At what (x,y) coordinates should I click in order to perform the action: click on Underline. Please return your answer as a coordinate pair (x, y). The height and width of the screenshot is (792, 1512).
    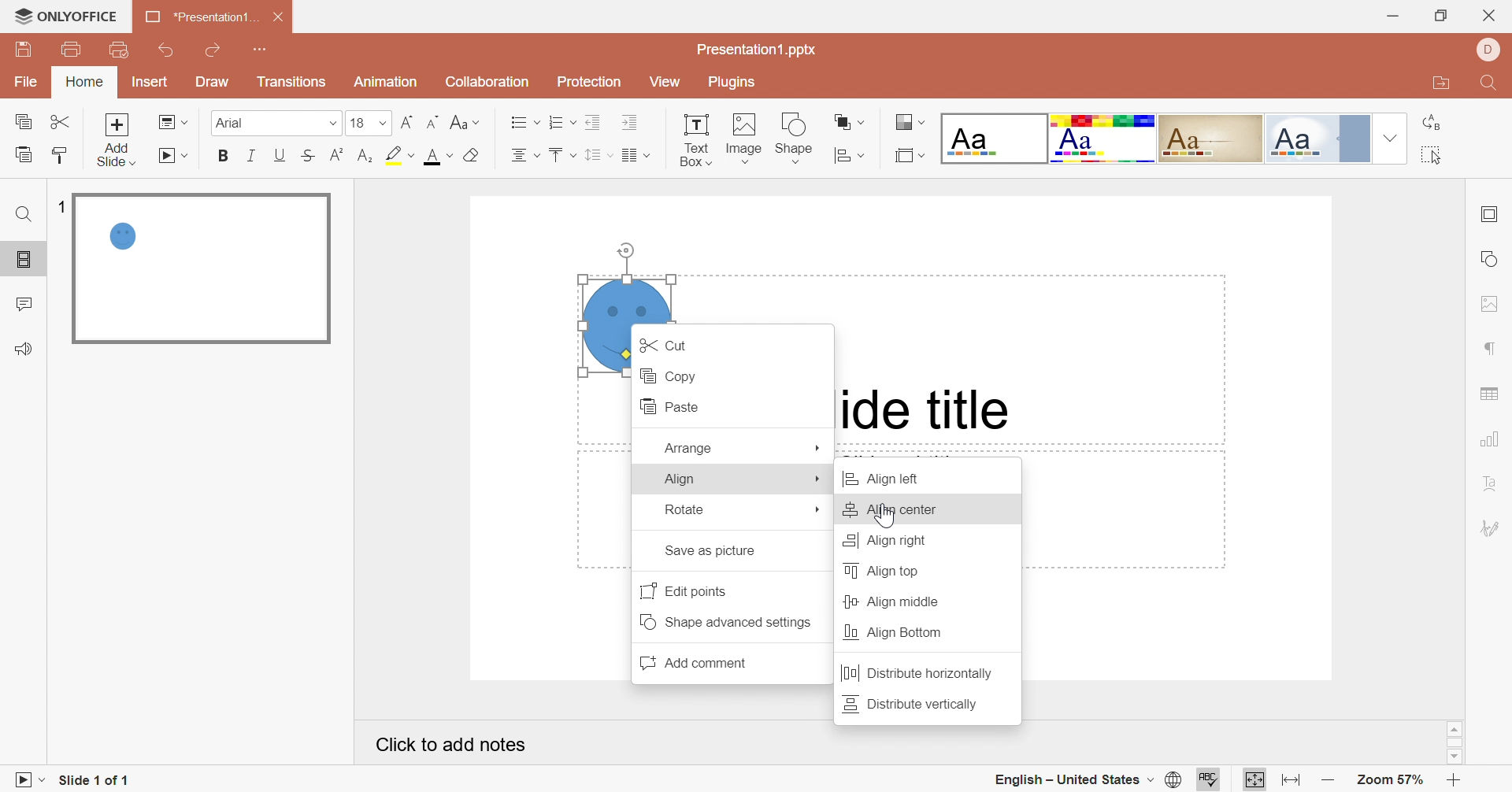
    Looking at the image, I should click on (283, 156).